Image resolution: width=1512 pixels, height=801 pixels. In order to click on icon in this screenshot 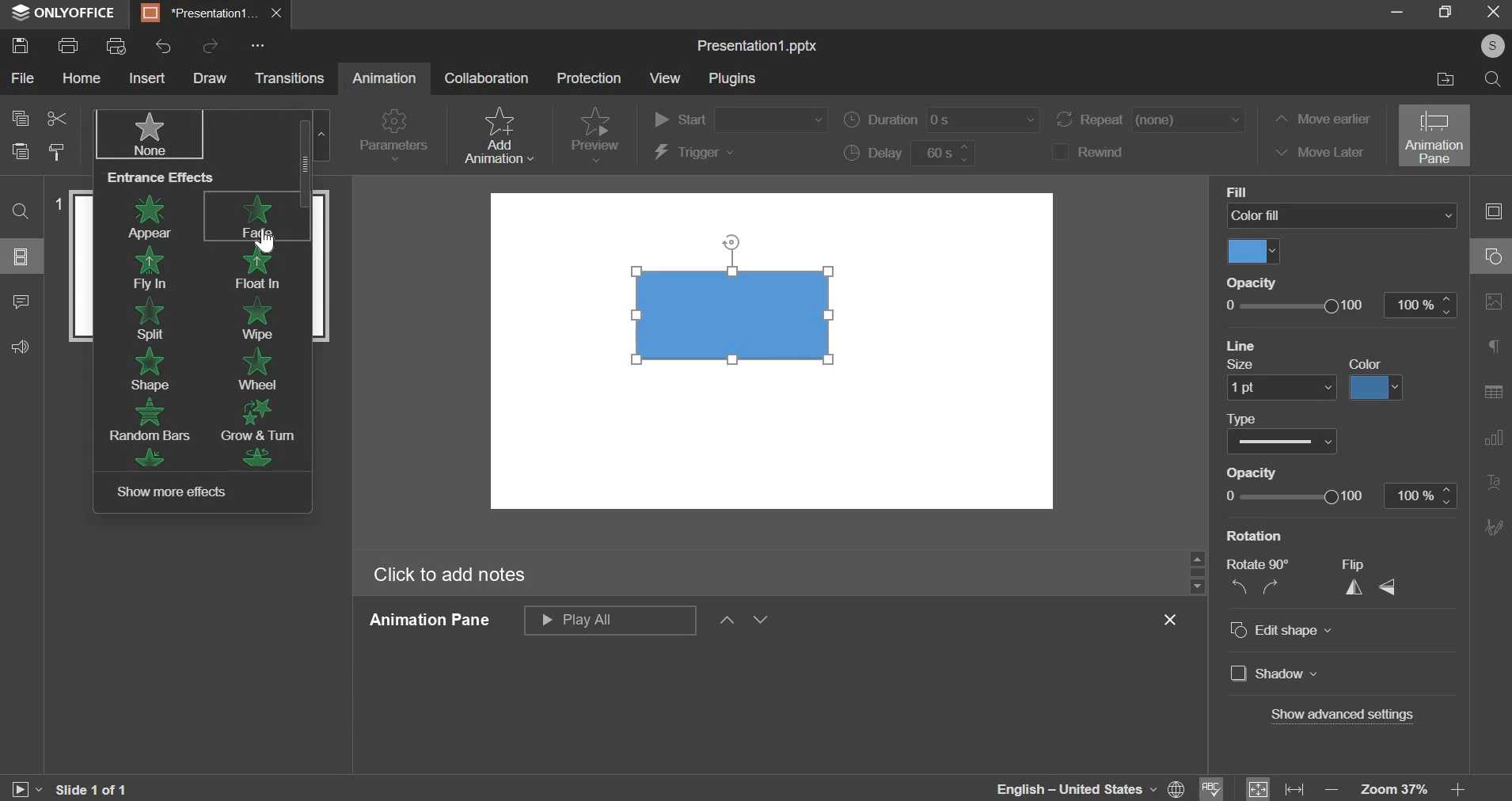, I will do `click(146, 457)`.